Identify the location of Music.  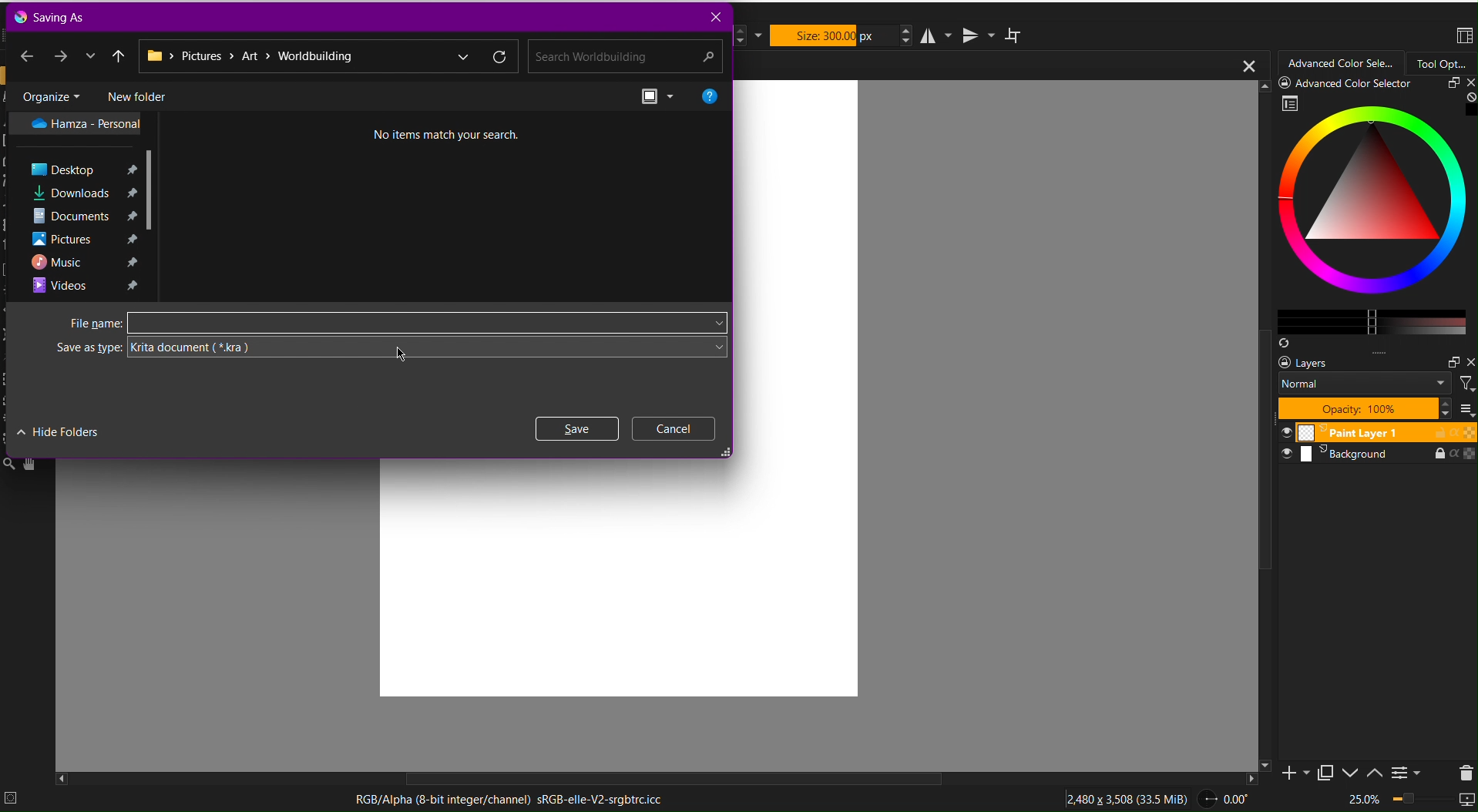
(58, 262).